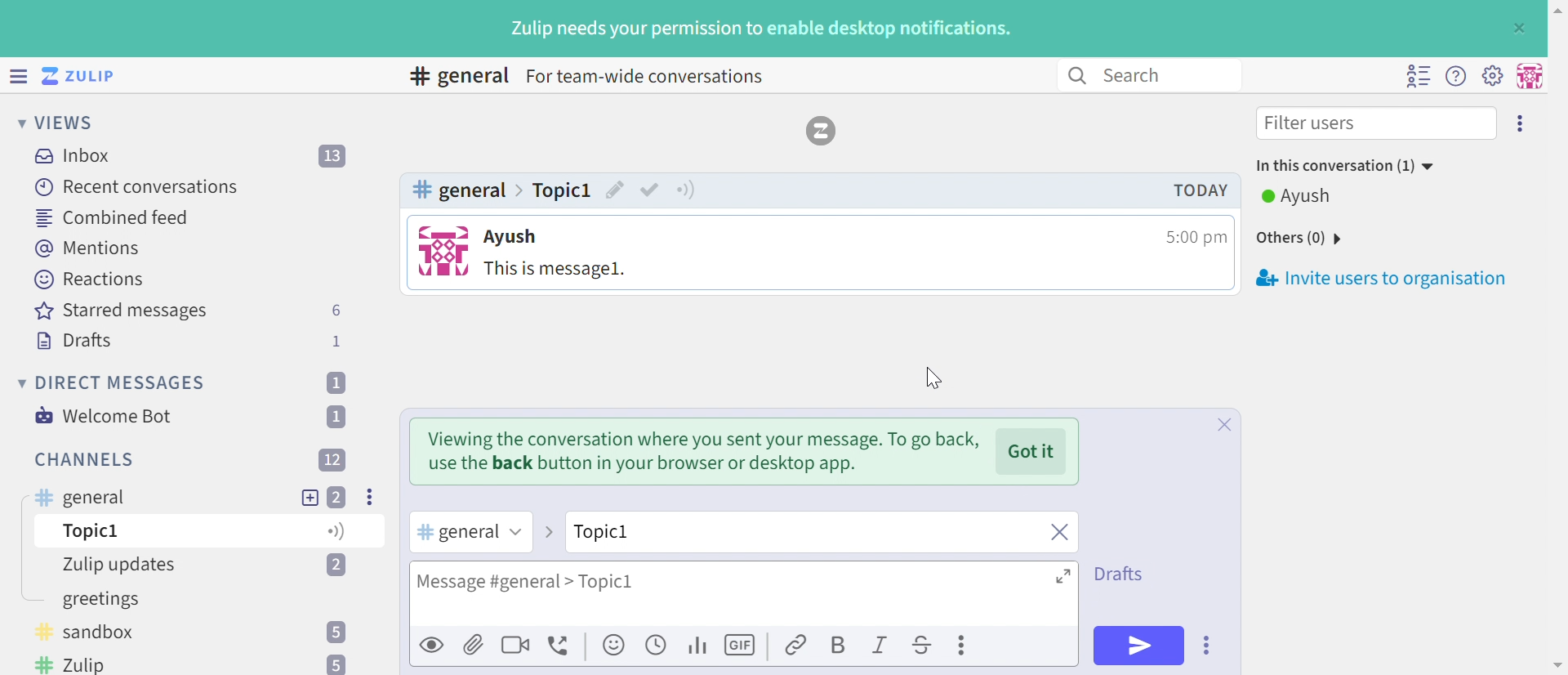 The height and width of the screenshot is (675, 1568). I want to click on Close, so click(1223, 518).